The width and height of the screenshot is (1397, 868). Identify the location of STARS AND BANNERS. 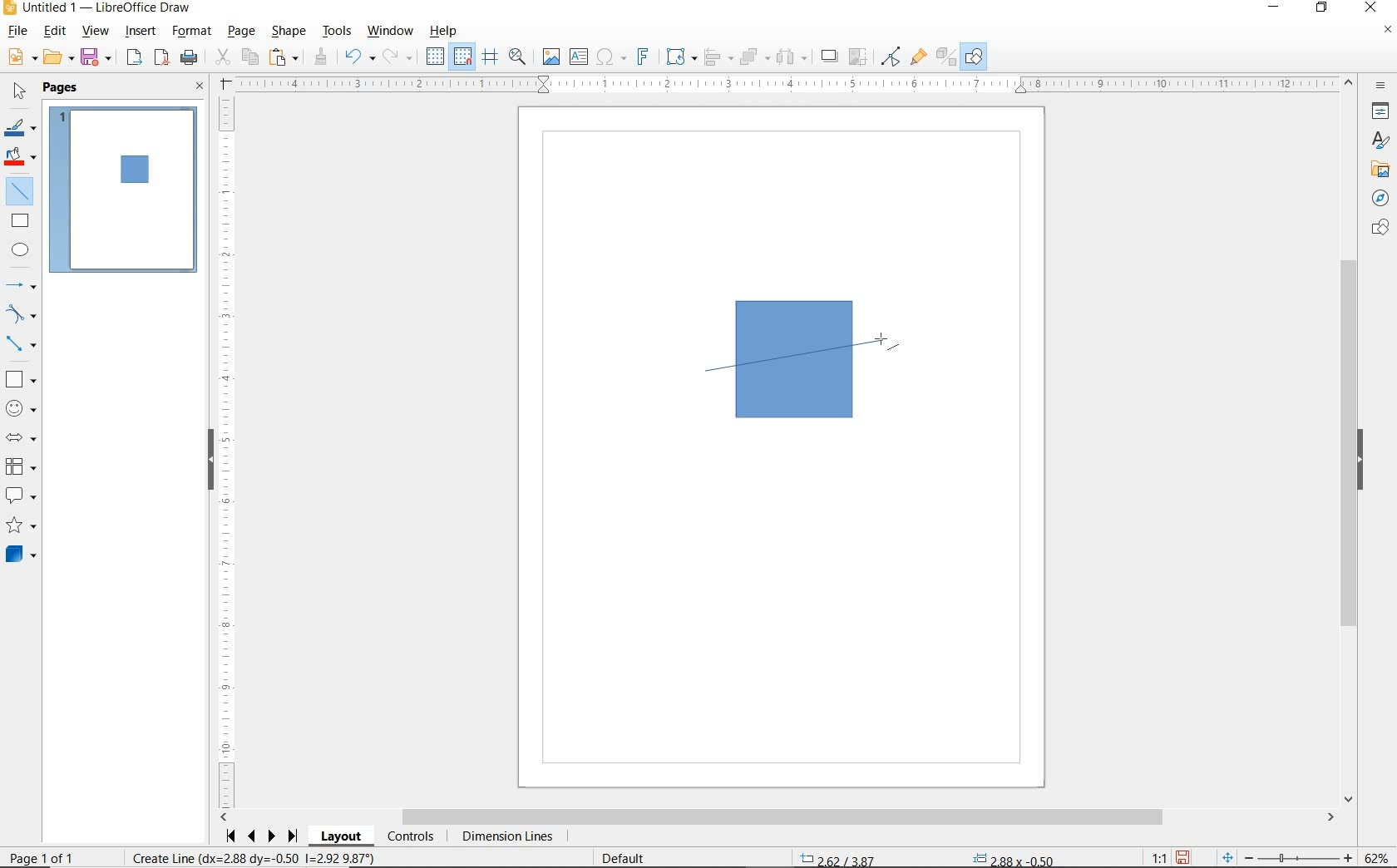
(21, 526).